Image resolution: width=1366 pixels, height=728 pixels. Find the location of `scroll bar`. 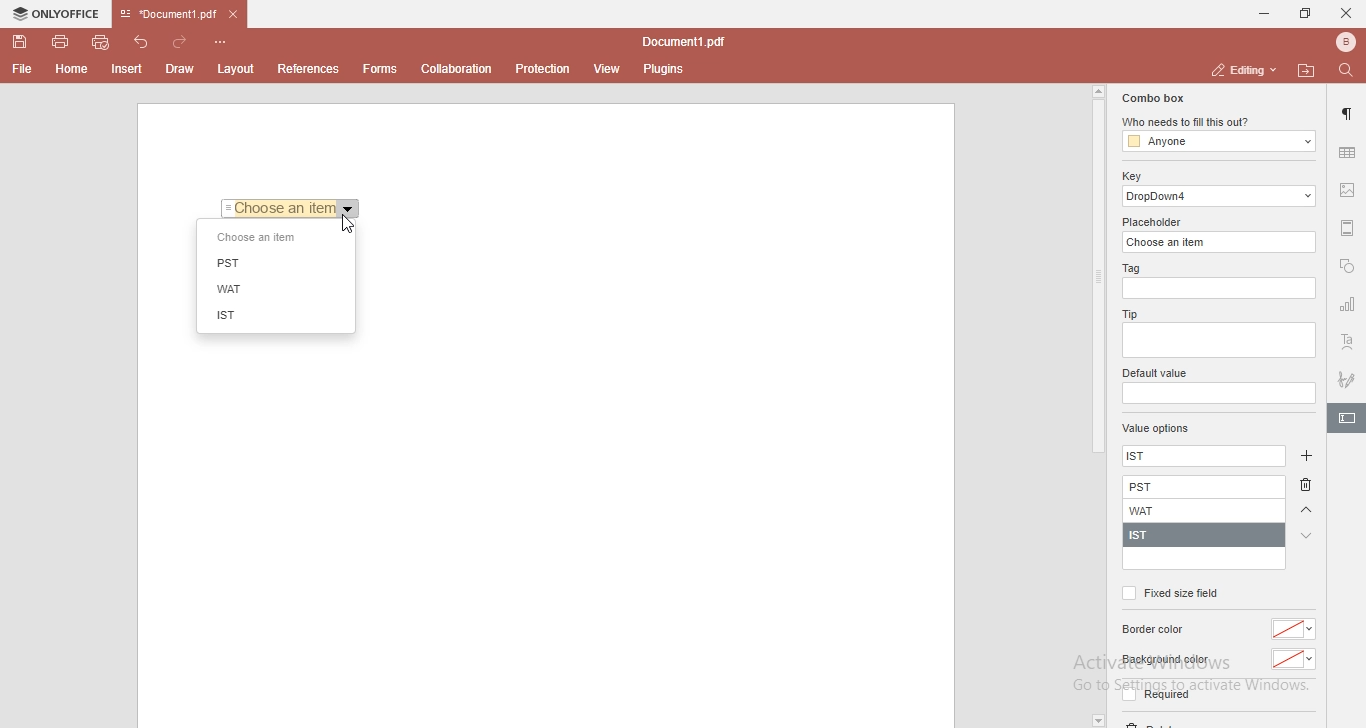

scroll bar is located at coordinates (1097, 270).